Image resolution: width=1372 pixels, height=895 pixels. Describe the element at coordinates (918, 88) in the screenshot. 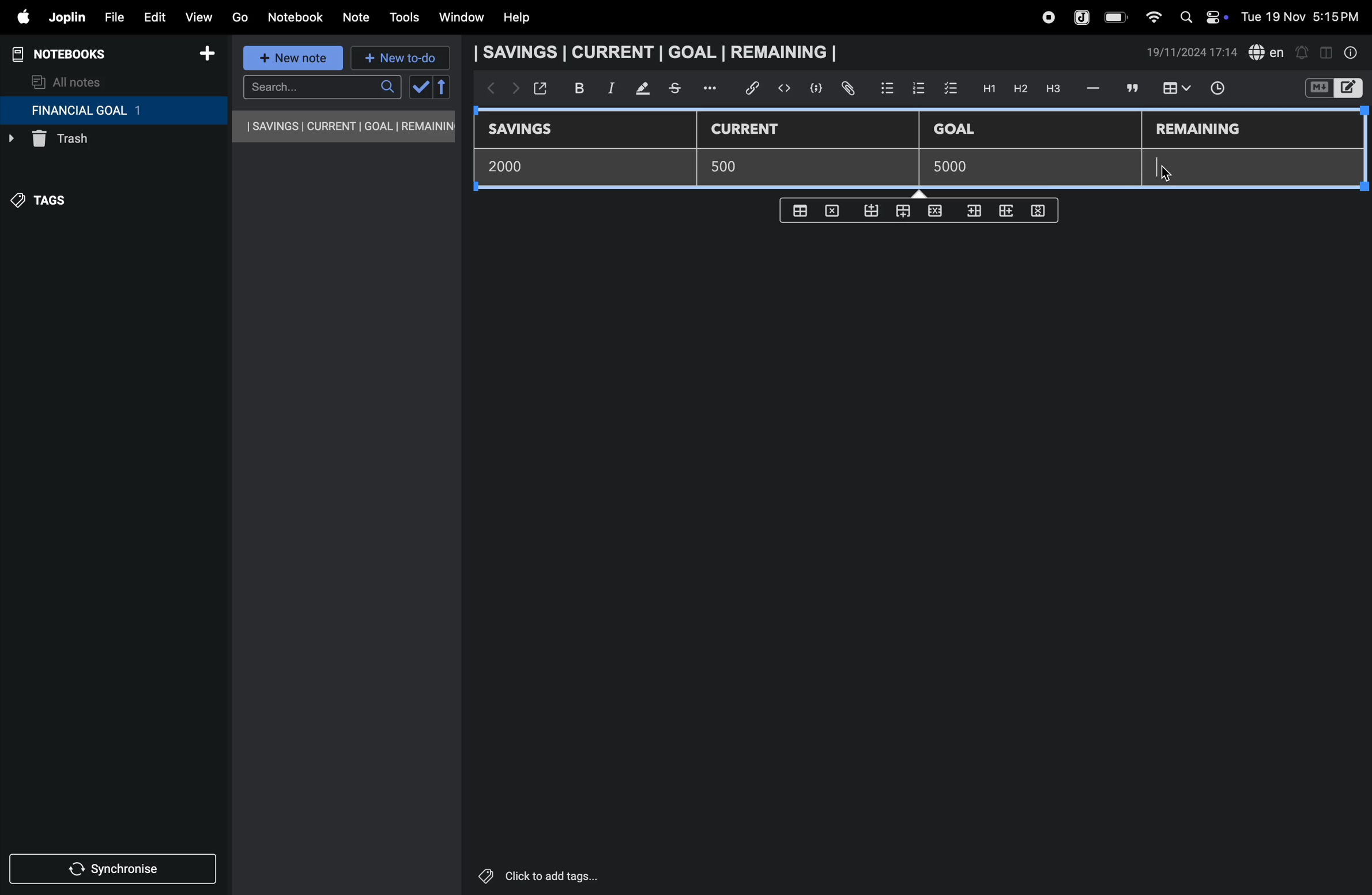

I see `numbered list` at that location.